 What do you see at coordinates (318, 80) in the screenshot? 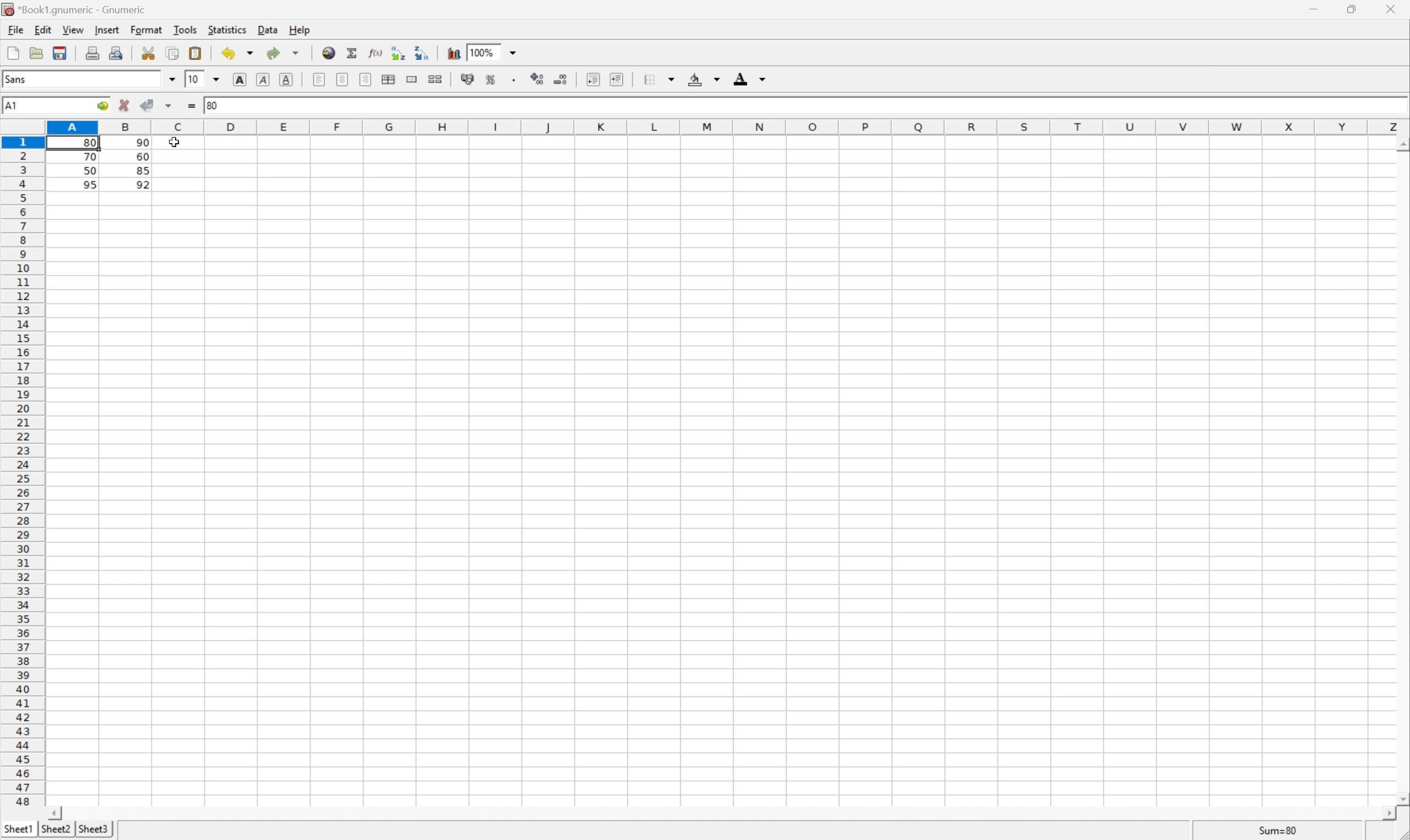
I see `Align Right` at bounding box center [318, 80].